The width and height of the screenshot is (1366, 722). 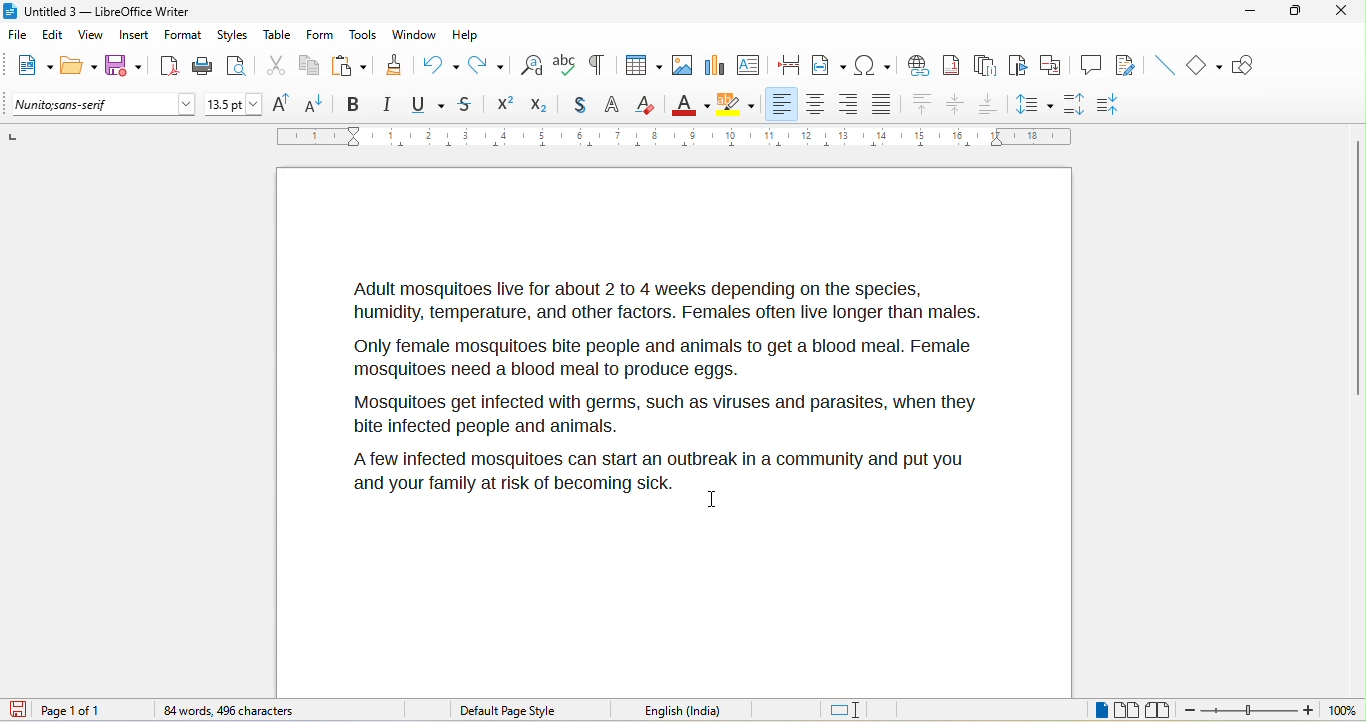 What do you see at coordinates (847, 711) in the screenshot?
I see `standard selection` at bounding box center [847, 711].